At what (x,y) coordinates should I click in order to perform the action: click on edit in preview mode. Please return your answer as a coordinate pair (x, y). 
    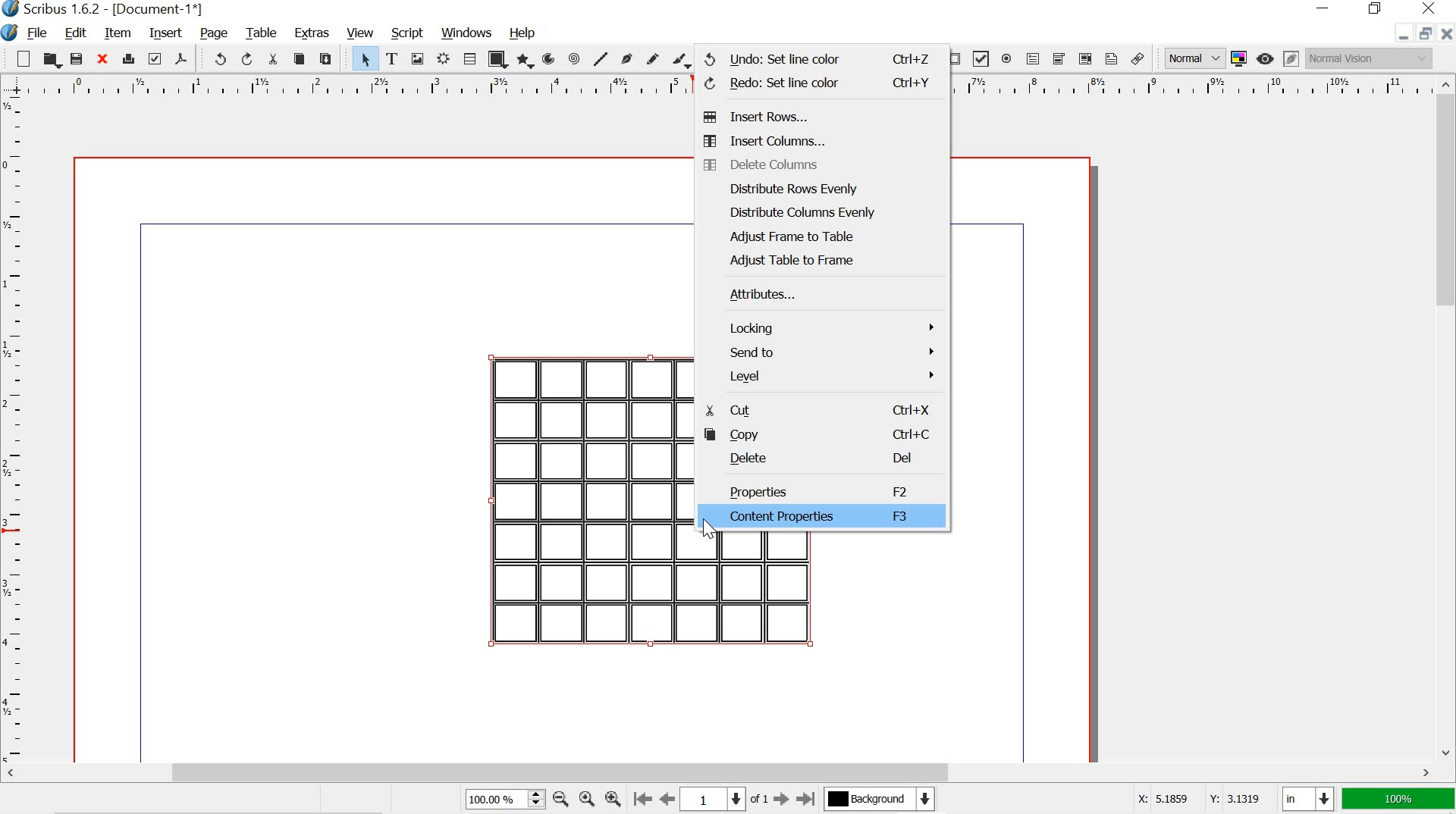
    Looking at the image, I should click on (1291, 57).